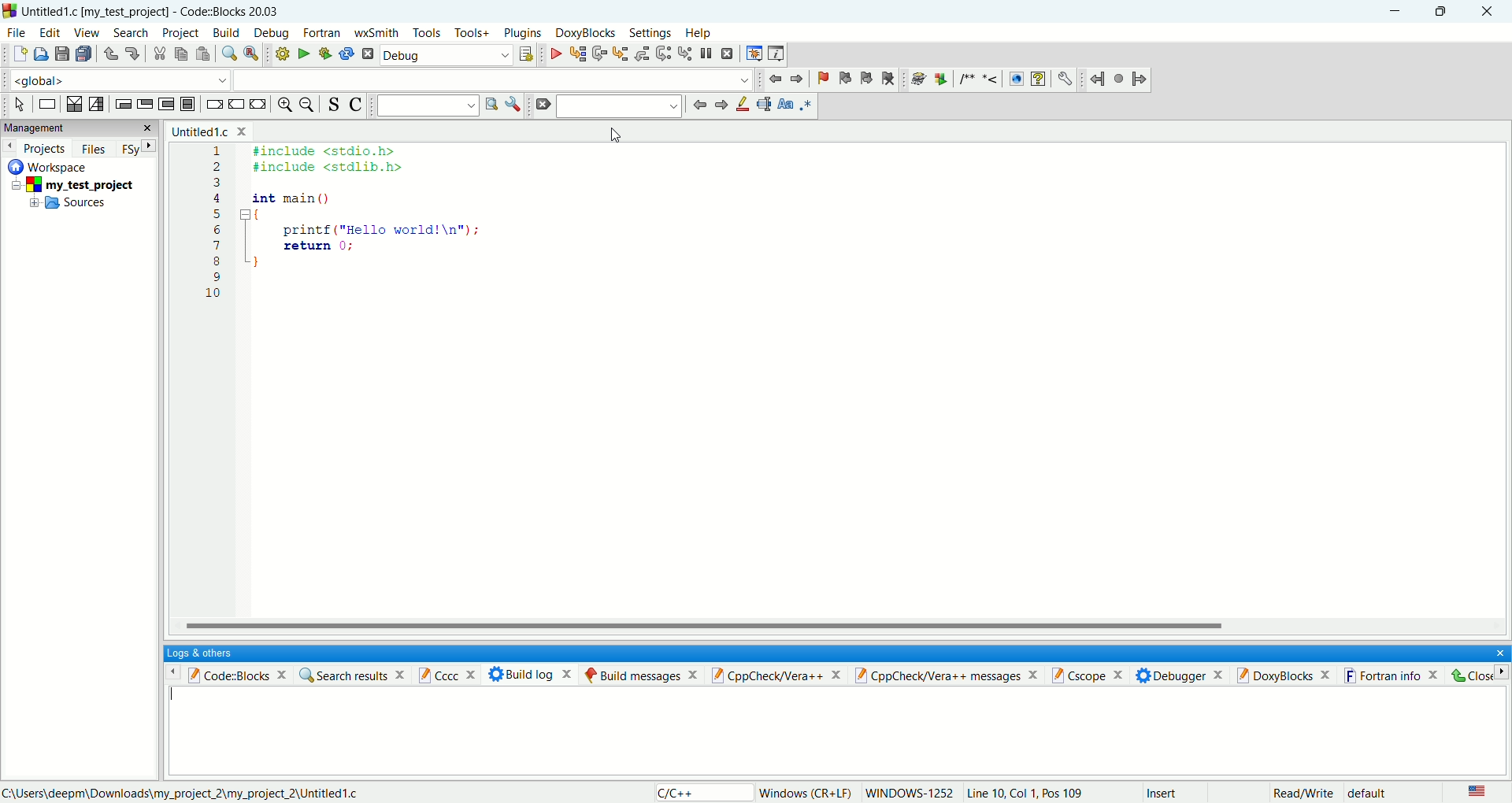 The height and width of the screenshot is (803, 1512). Describe the element at coordinates (258, 104) in the screenshot. I see `return instruction` at that location.